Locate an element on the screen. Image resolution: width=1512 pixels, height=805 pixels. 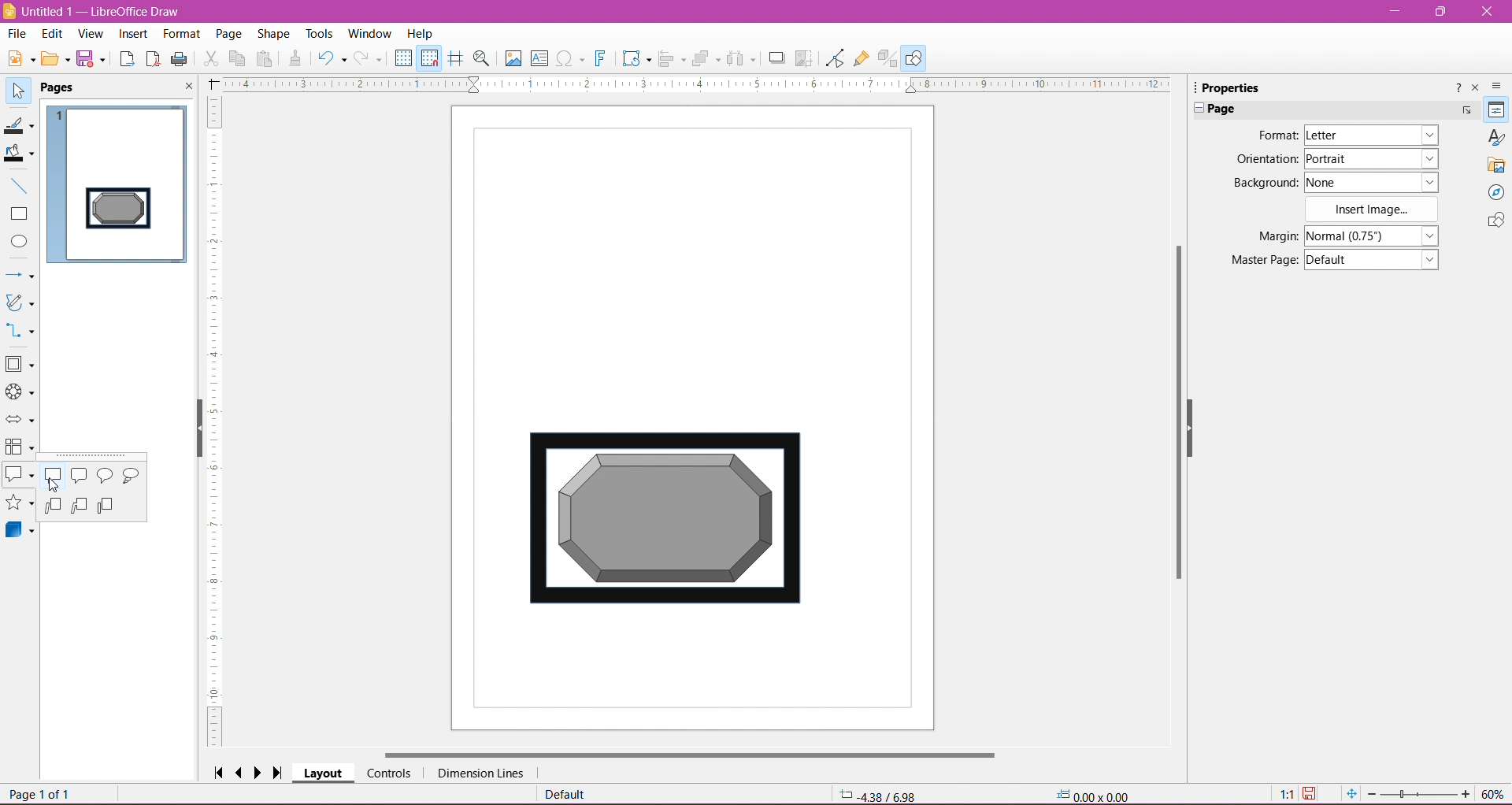
Helplines while moving is located at coordinates (455, 57).